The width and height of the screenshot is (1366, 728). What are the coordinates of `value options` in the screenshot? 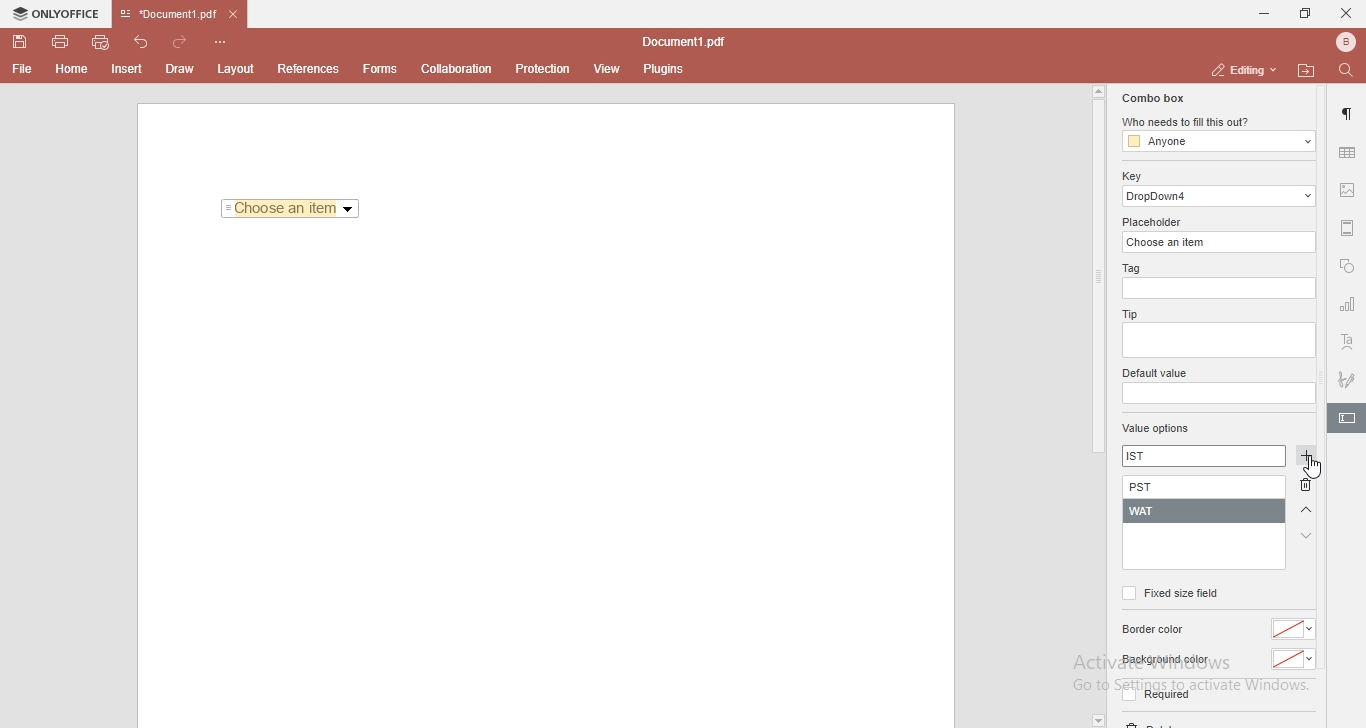 It's located at (1156, 430).